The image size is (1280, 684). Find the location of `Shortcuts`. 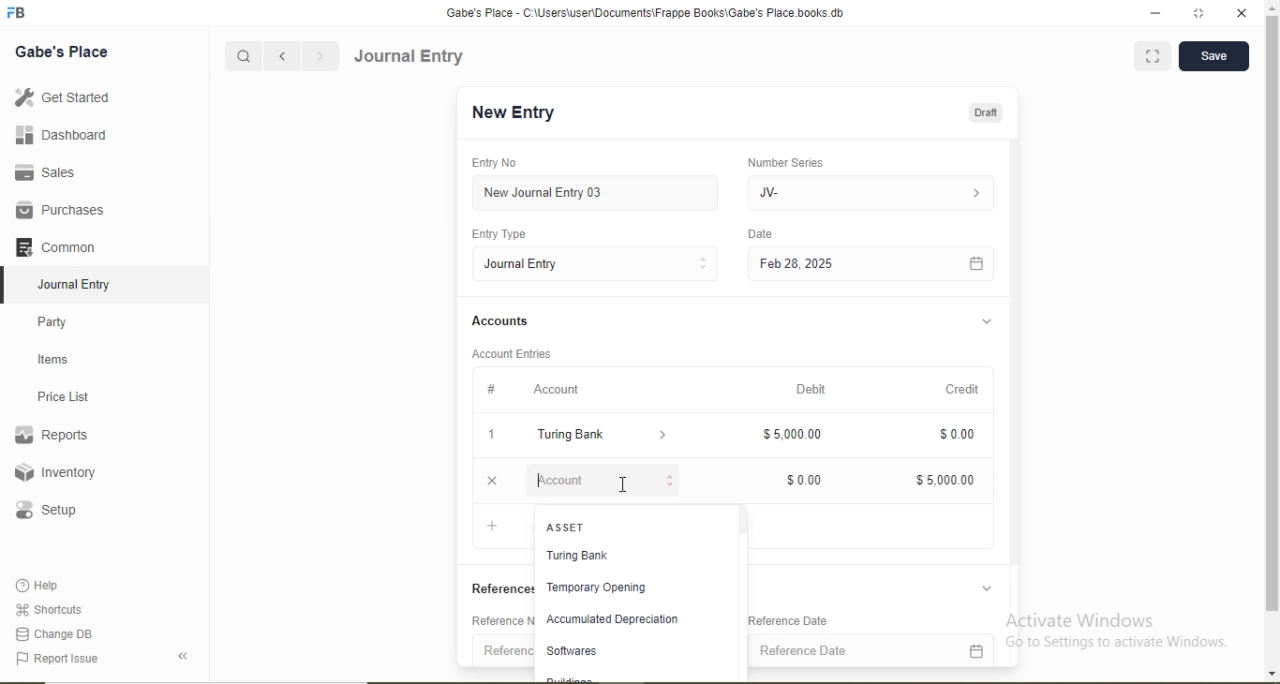

Shortcuts is located at coordinates (47, 609).